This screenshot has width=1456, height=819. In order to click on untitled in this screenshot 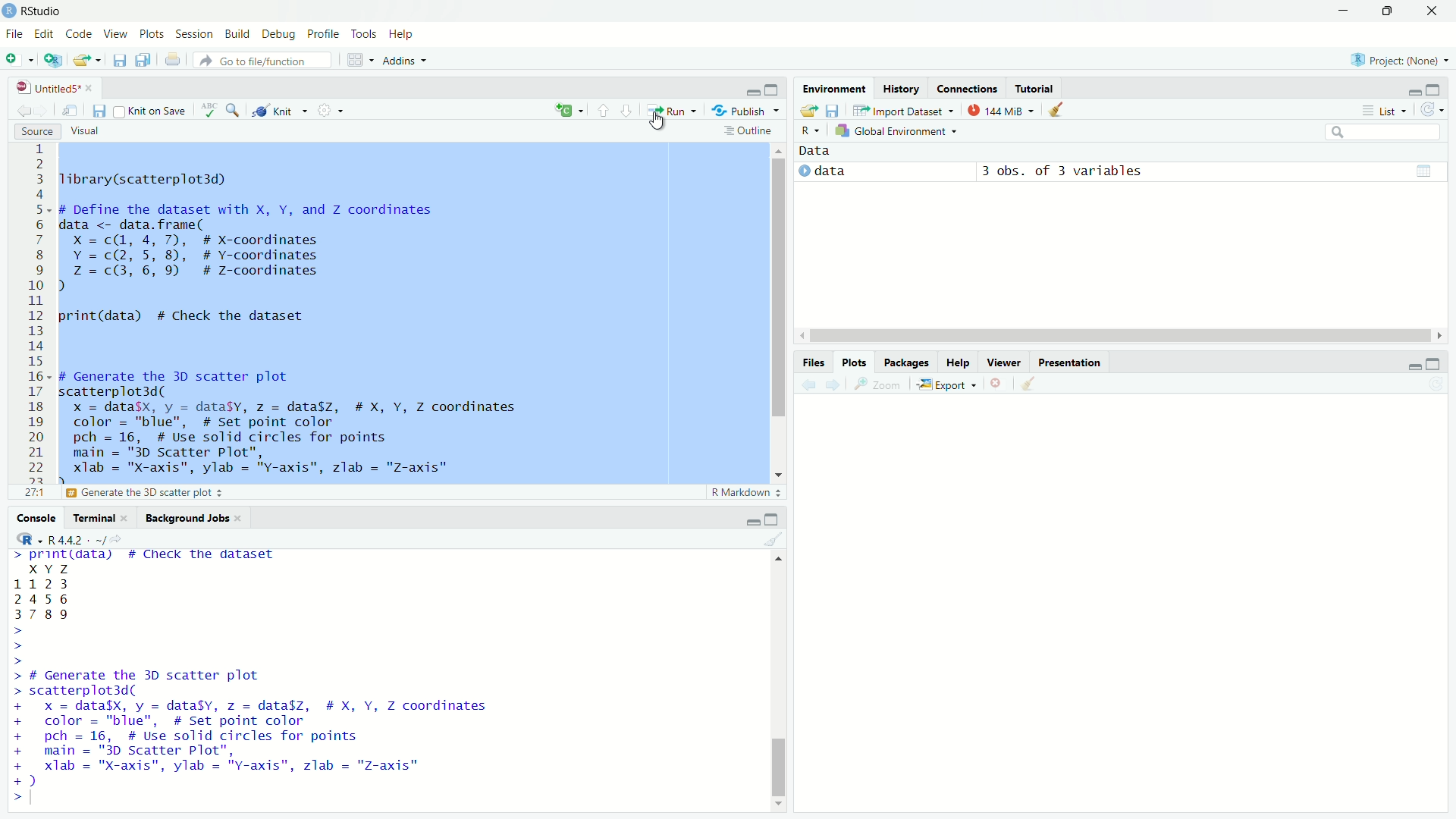, I will do `click(40, 87)`.